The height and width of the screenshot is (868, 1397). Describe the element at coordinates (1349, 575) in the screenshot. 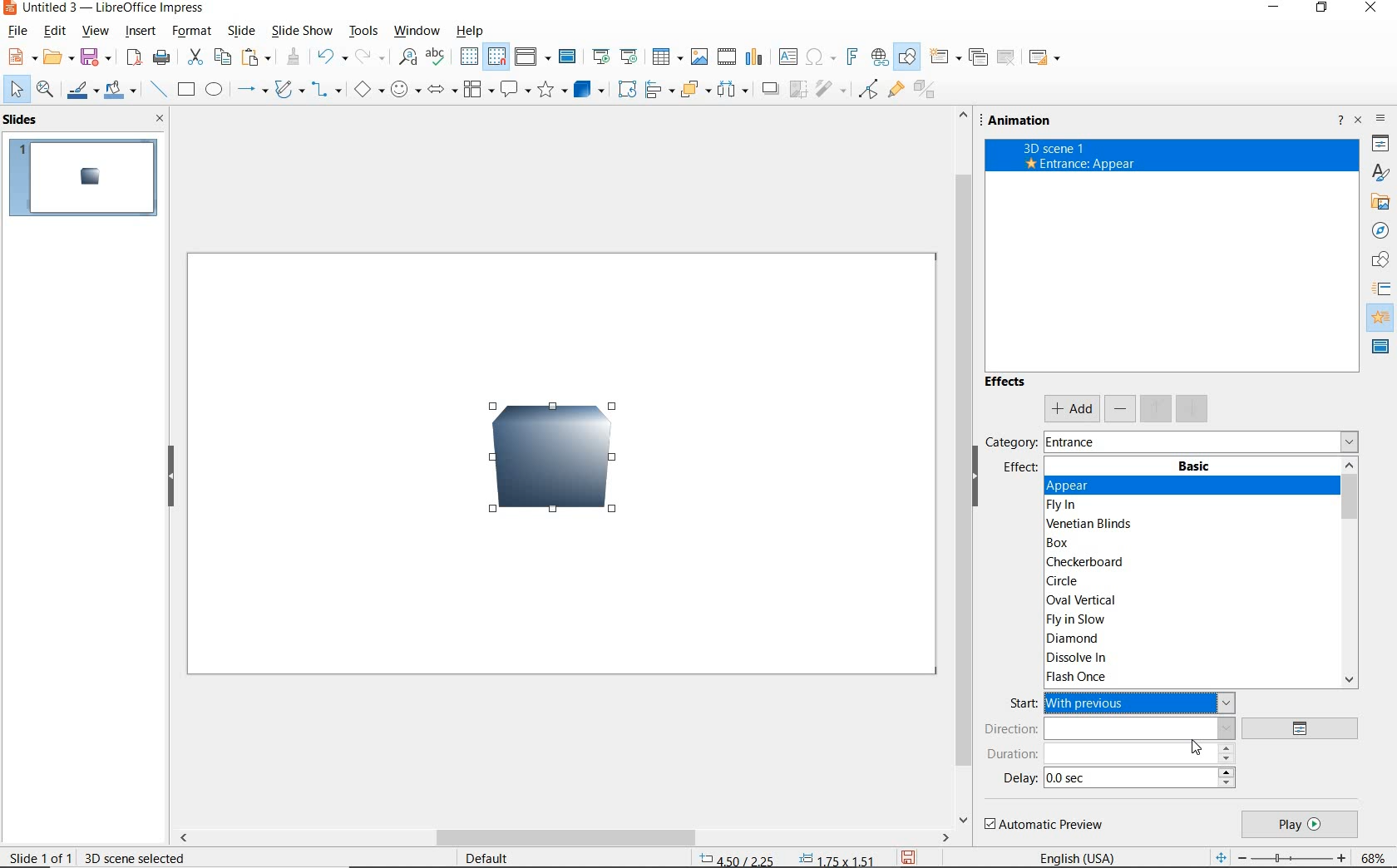

I see `SCROLLBAR` at that location.